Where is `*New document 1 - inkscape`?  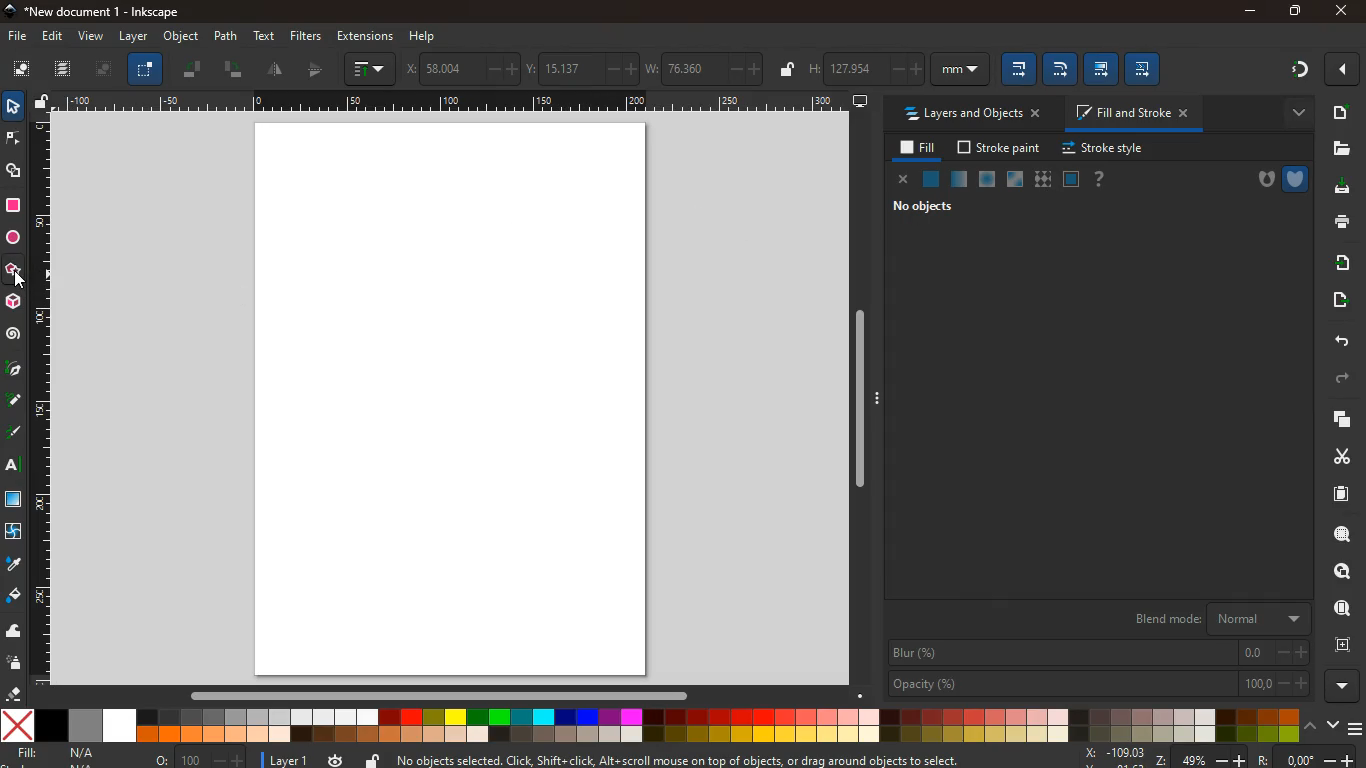 *New document 1 - inkscape is located at coordinates (102, 12).